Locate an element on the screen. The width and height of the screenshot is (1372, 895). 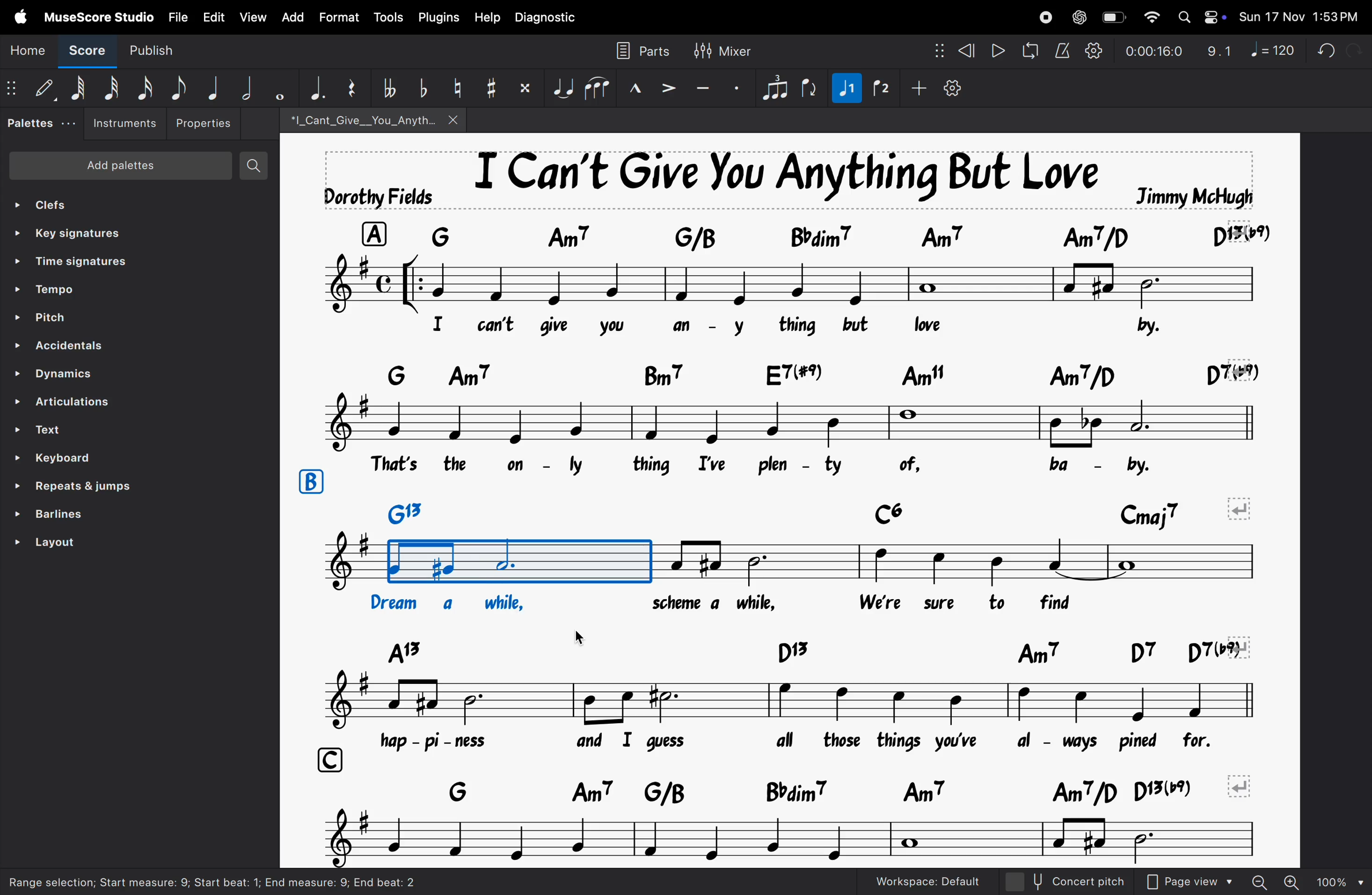
Default is located at coordinates (43, 88).